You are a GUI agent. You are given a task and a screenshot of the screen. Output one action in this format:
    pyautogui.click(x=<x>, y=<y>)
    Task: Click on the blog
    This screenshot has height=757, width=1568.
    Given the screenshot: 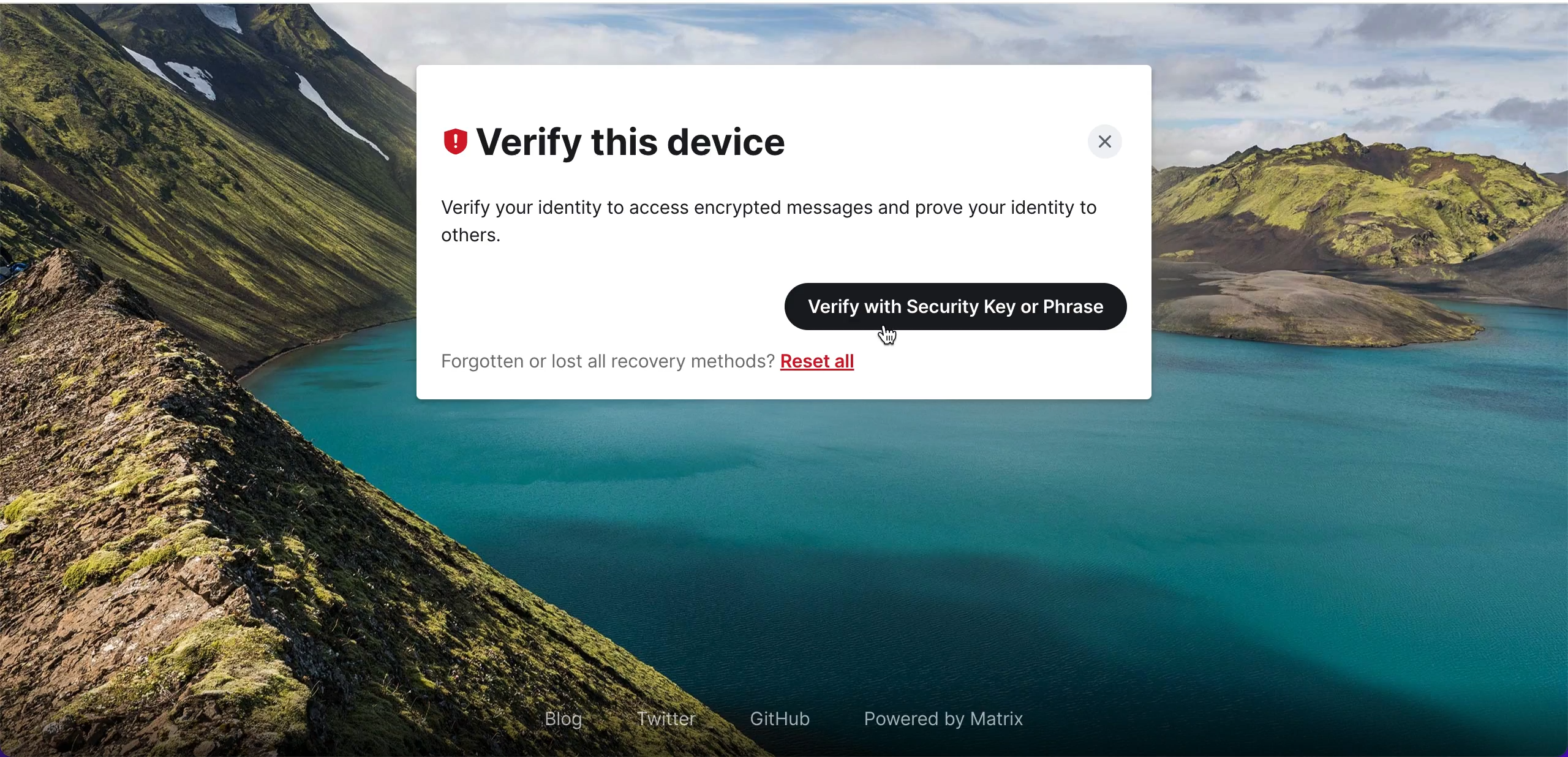 What is the action you would take?
    pyautogui.click(x=563, y=716)
    